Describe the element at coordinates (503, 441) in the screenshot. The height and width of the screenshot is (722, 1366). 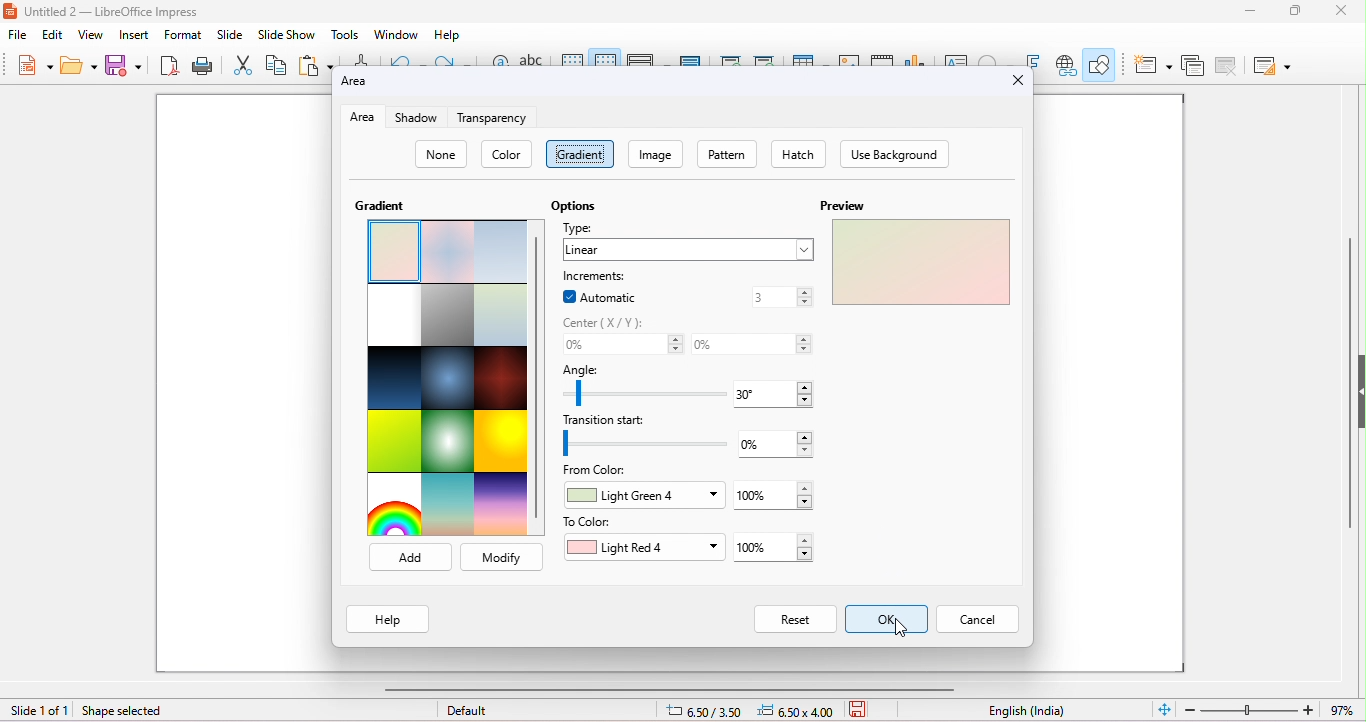
I see `Gradient option 12` at that location.